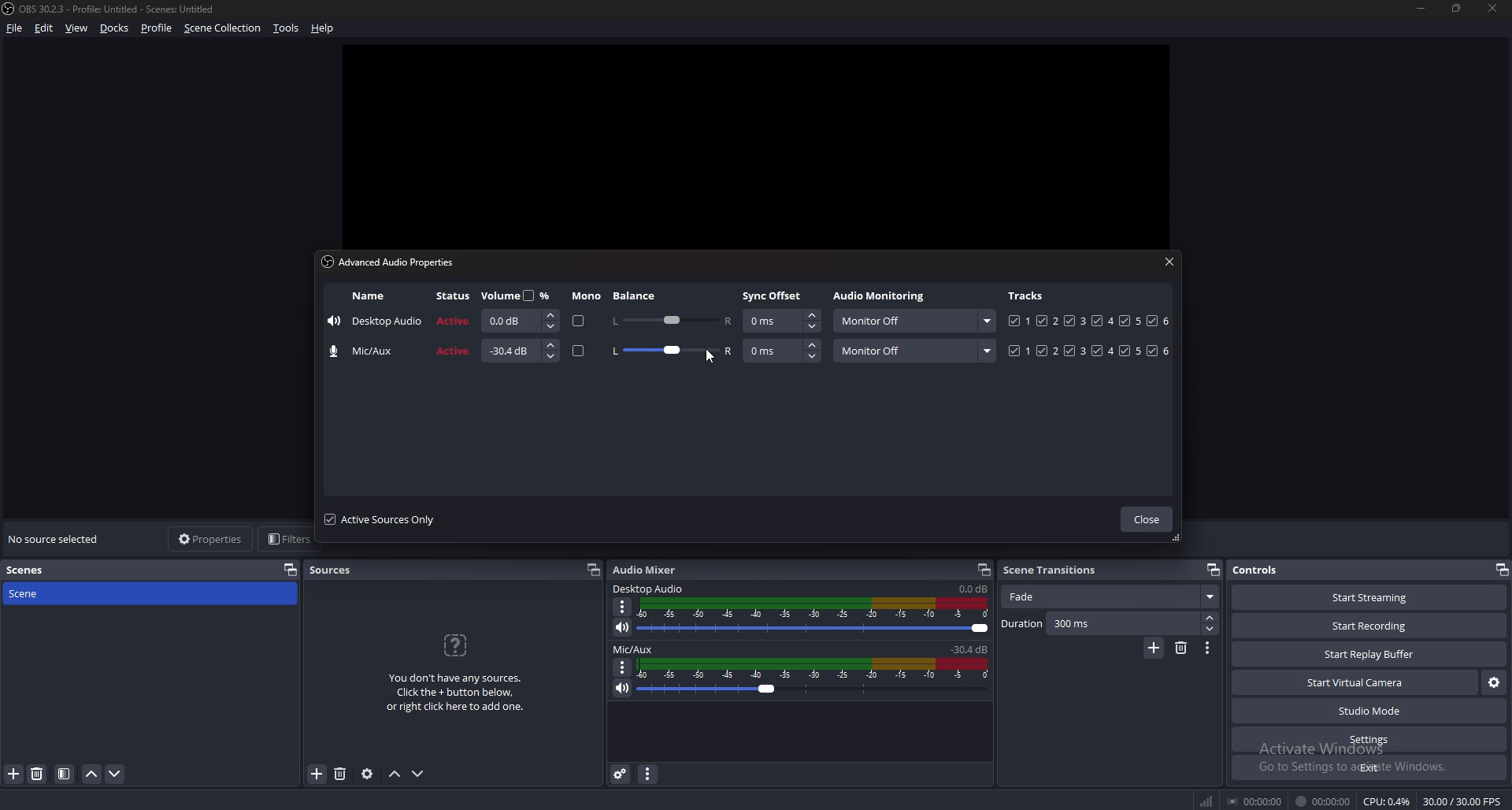 Image resolution: width=1512 pixels, height=810 pixels. What do you see at coordinates (1180, 648) in the screenshot?
I see `remove scene` at bounding box center [1180, 648].